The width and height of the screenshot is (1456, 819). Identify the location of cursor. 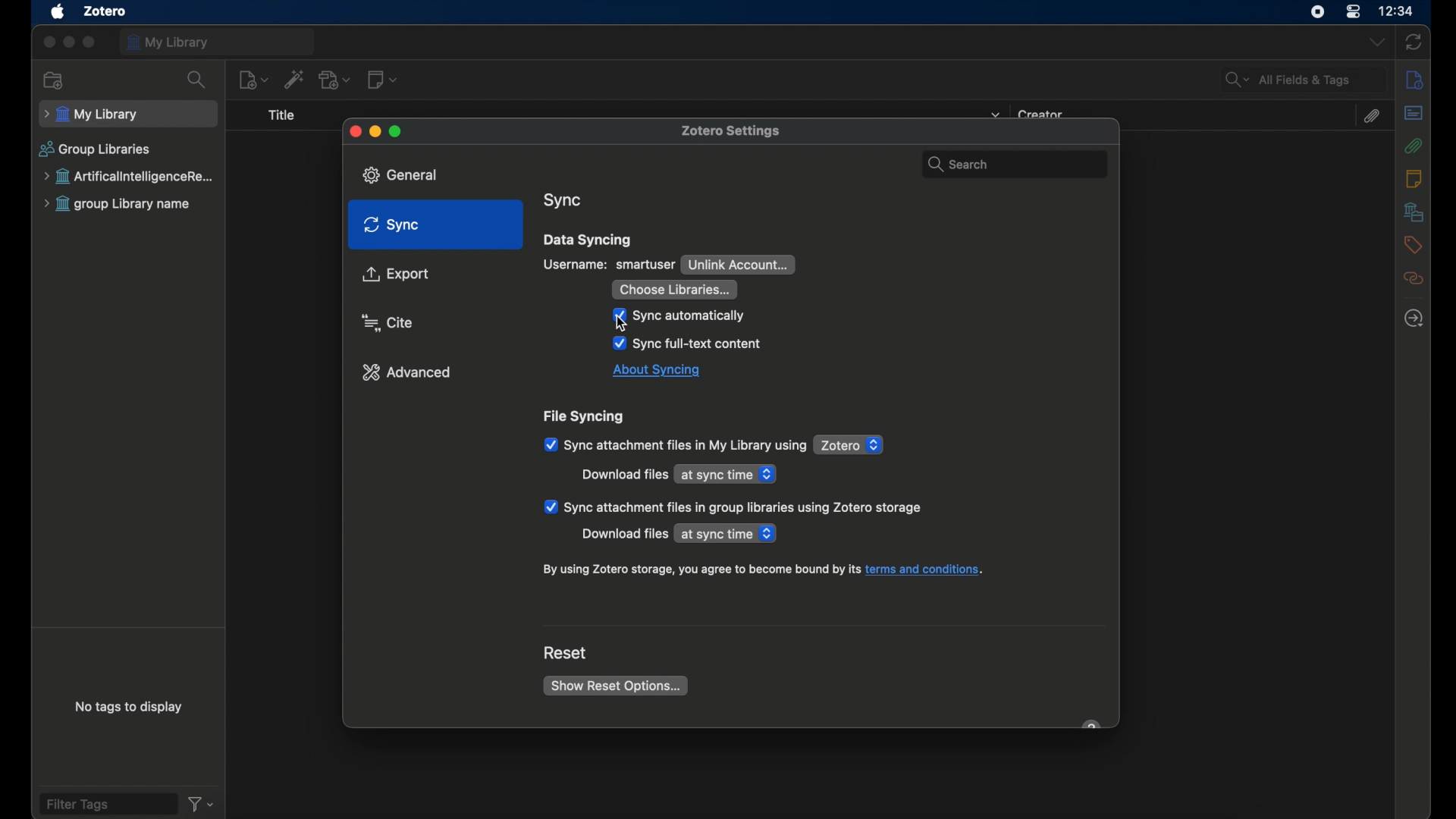
(626, 324).